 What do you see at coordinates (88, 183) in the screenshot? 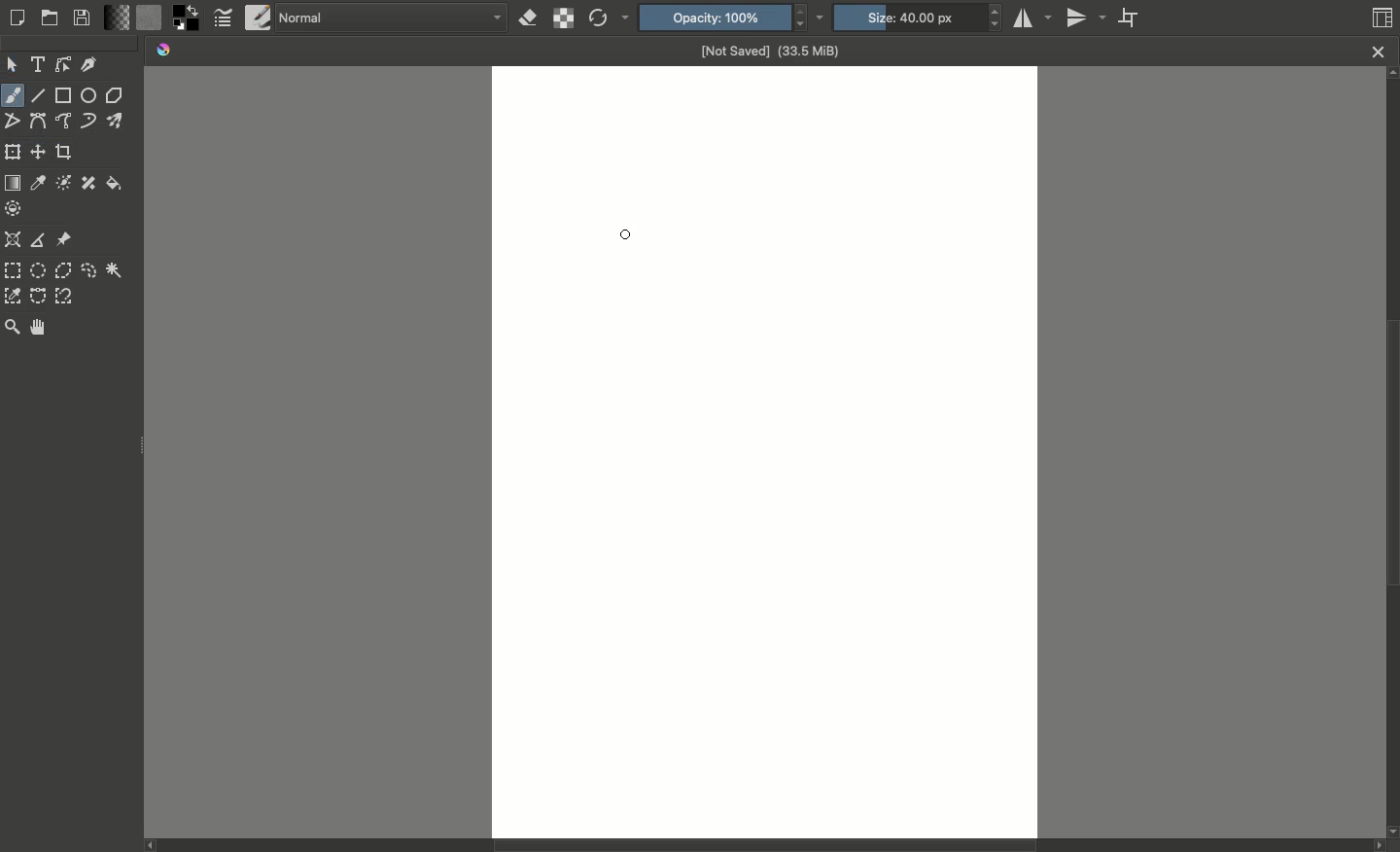
I see `Smart patch tool` at bounding box center [88, 183].